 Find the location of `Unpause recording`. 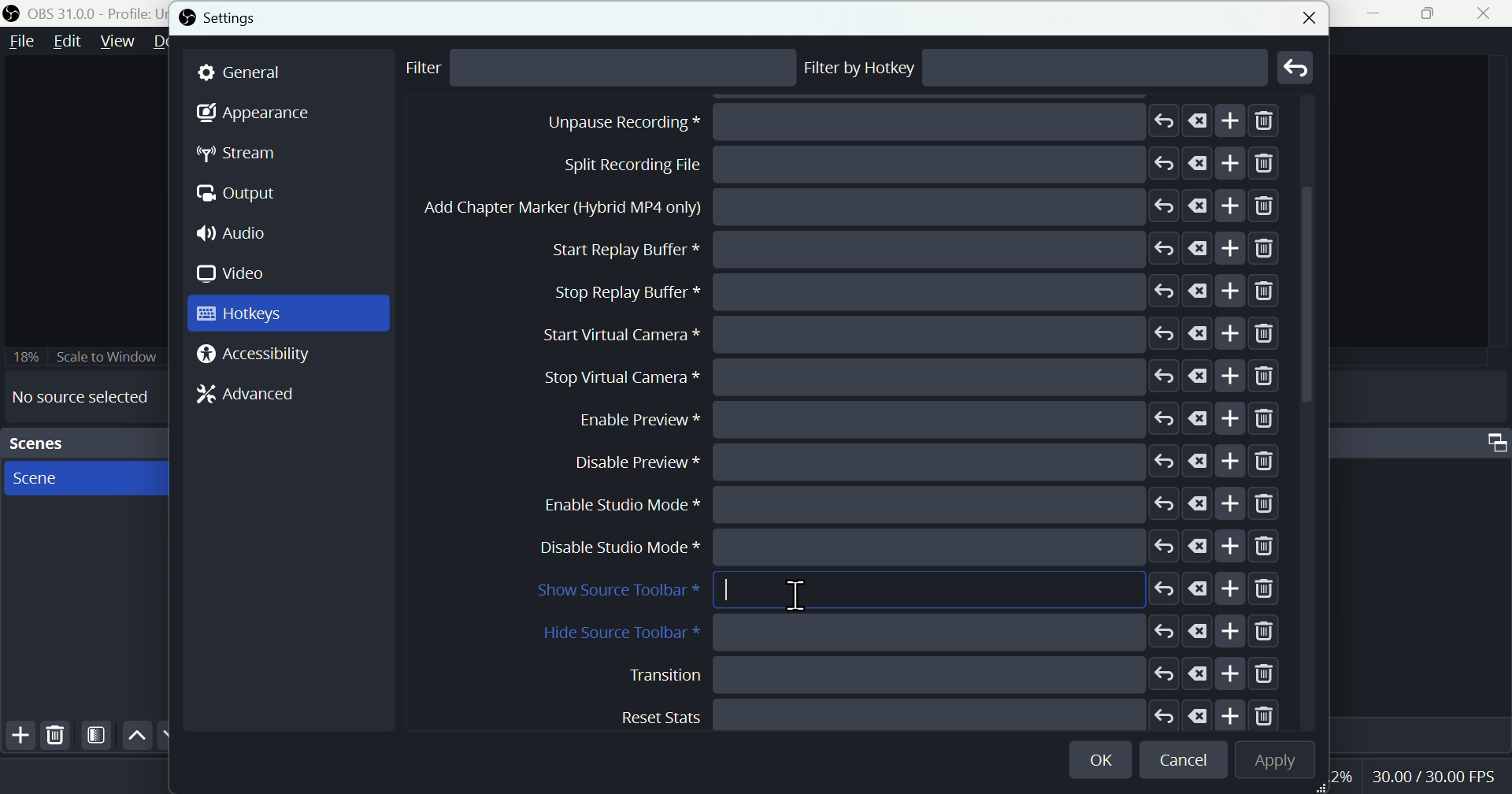

Unpause recording is located at coordinates (921, 291).